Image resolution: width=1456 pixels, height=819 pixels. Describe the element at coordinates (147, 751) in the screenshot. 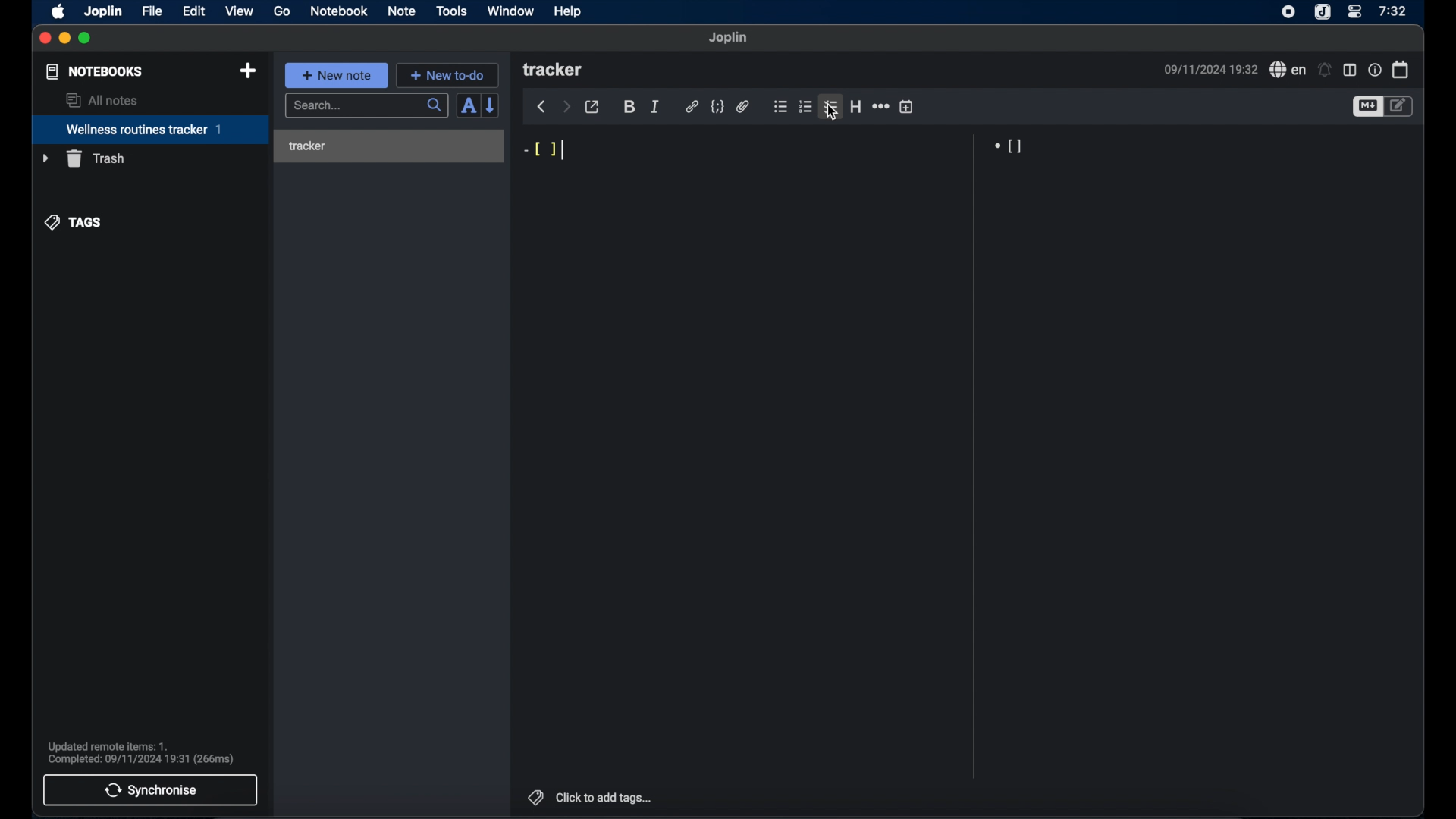

I see `Updated remote items: 1. Complete: 09/11/2024 19:31 (266ms)` at that location.